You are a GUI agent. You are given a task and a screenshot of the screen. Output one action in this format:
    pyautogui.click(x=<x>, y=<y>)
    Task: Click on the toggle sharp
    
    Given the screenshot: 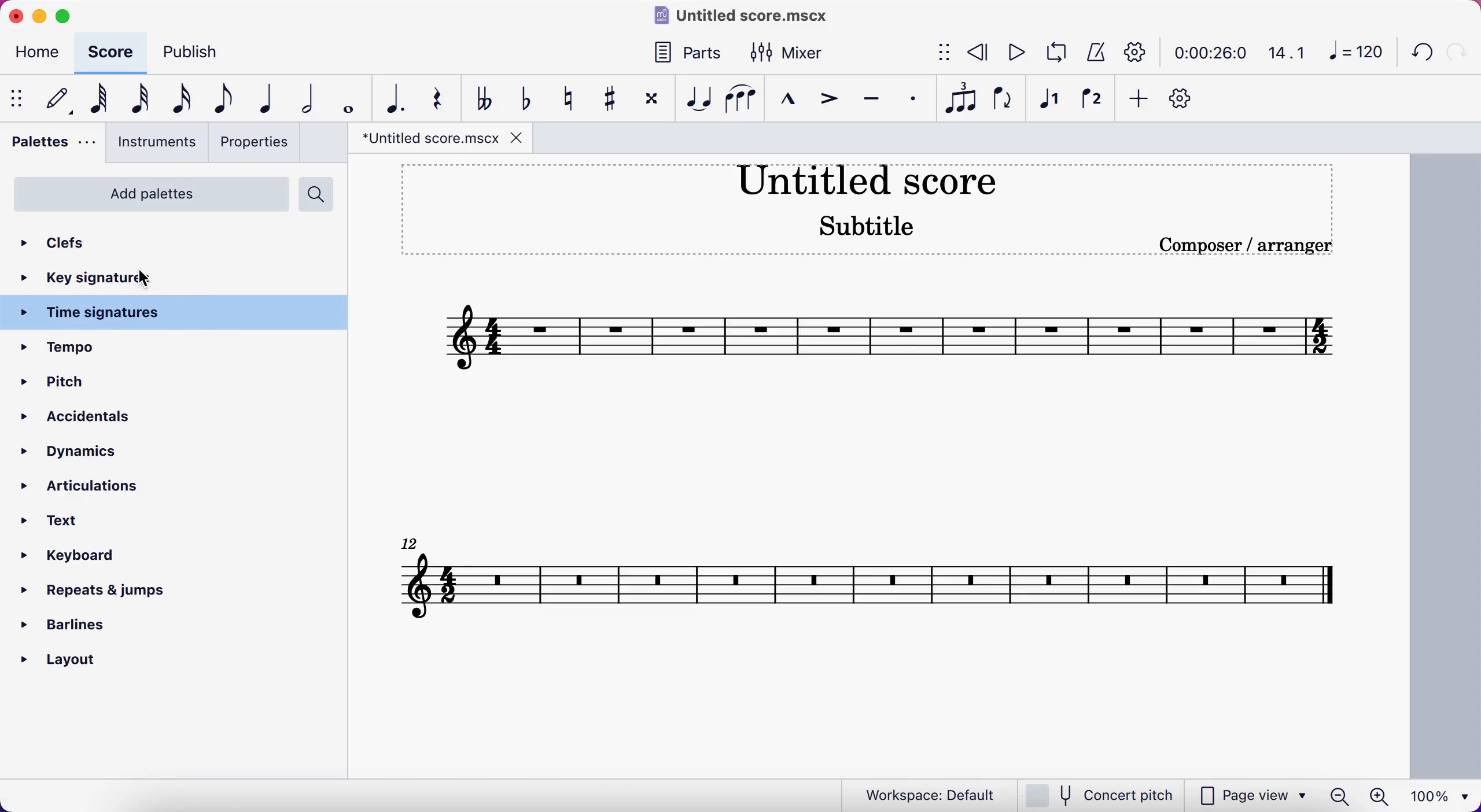 What is the action you would take?
    pyautogui.click(x=607, y=101)
    